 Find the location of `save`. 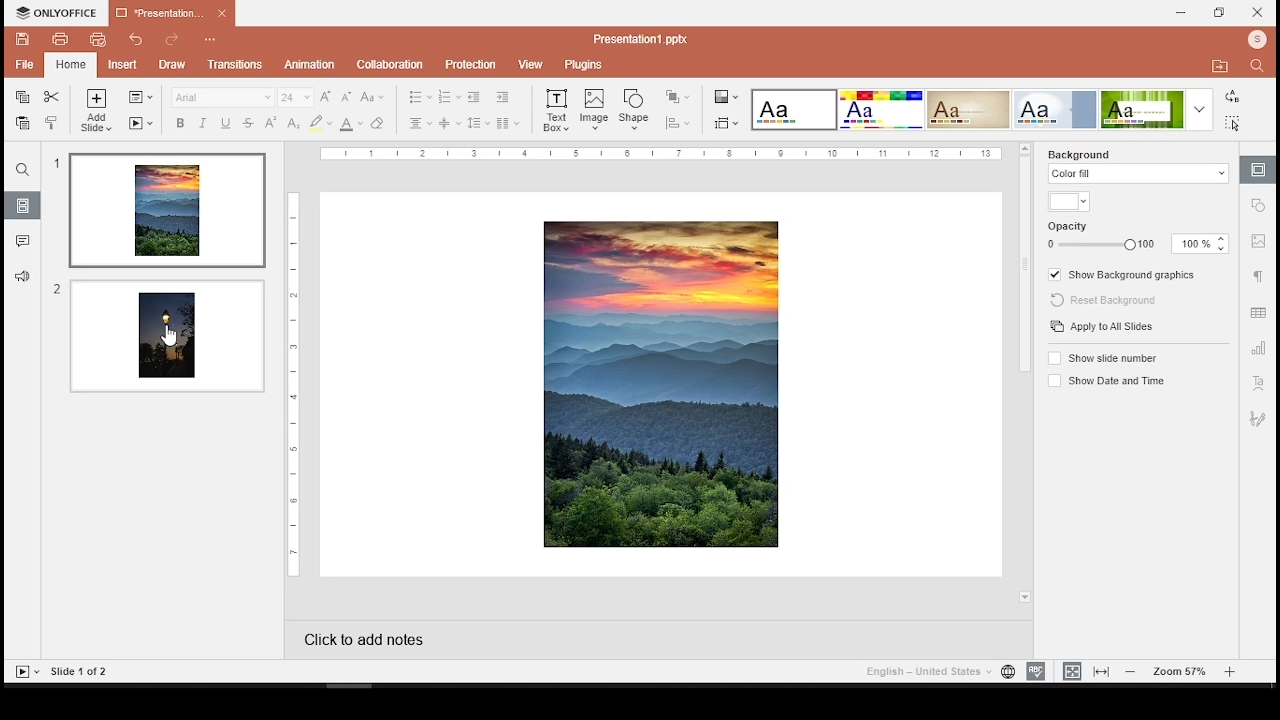

save is located at coordinates (24, 39).